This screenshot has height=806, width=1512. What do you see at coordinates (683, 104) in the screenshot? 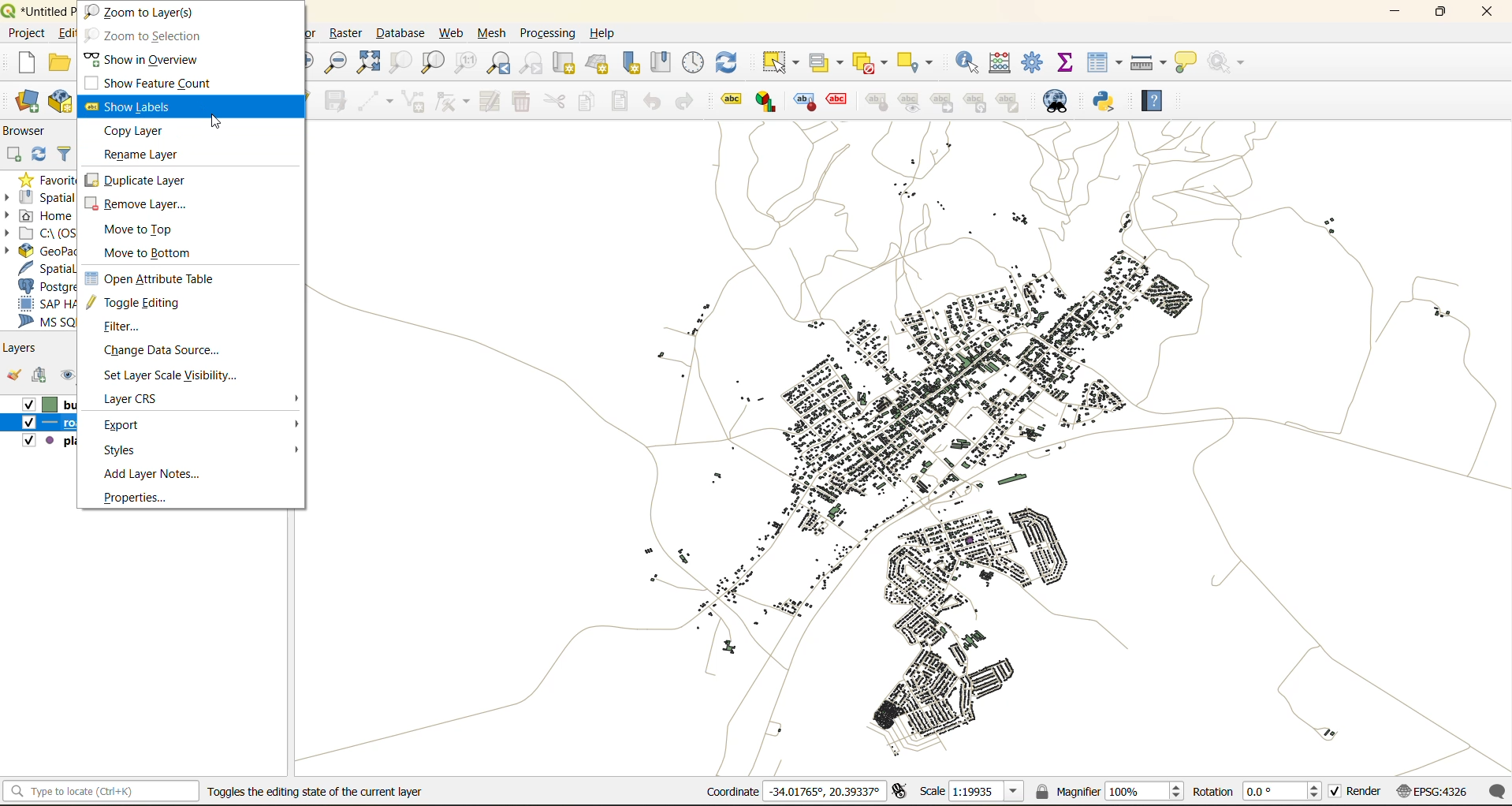
I see `redo` at bounding box center [683, 104].